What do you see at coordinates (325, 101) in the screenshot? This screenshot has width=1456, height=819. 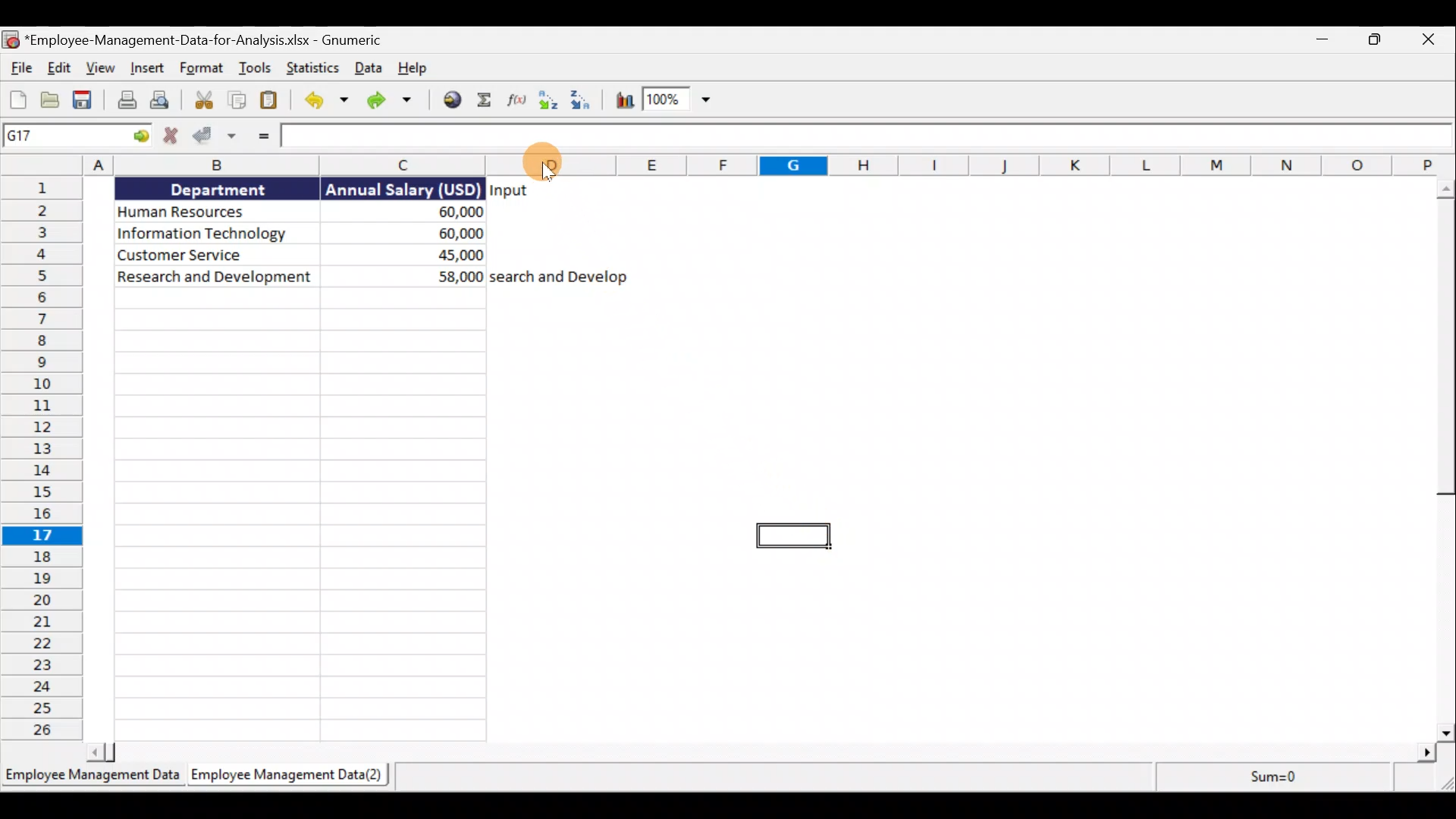 I see `Undo last action` at bounding box center [325, 101].